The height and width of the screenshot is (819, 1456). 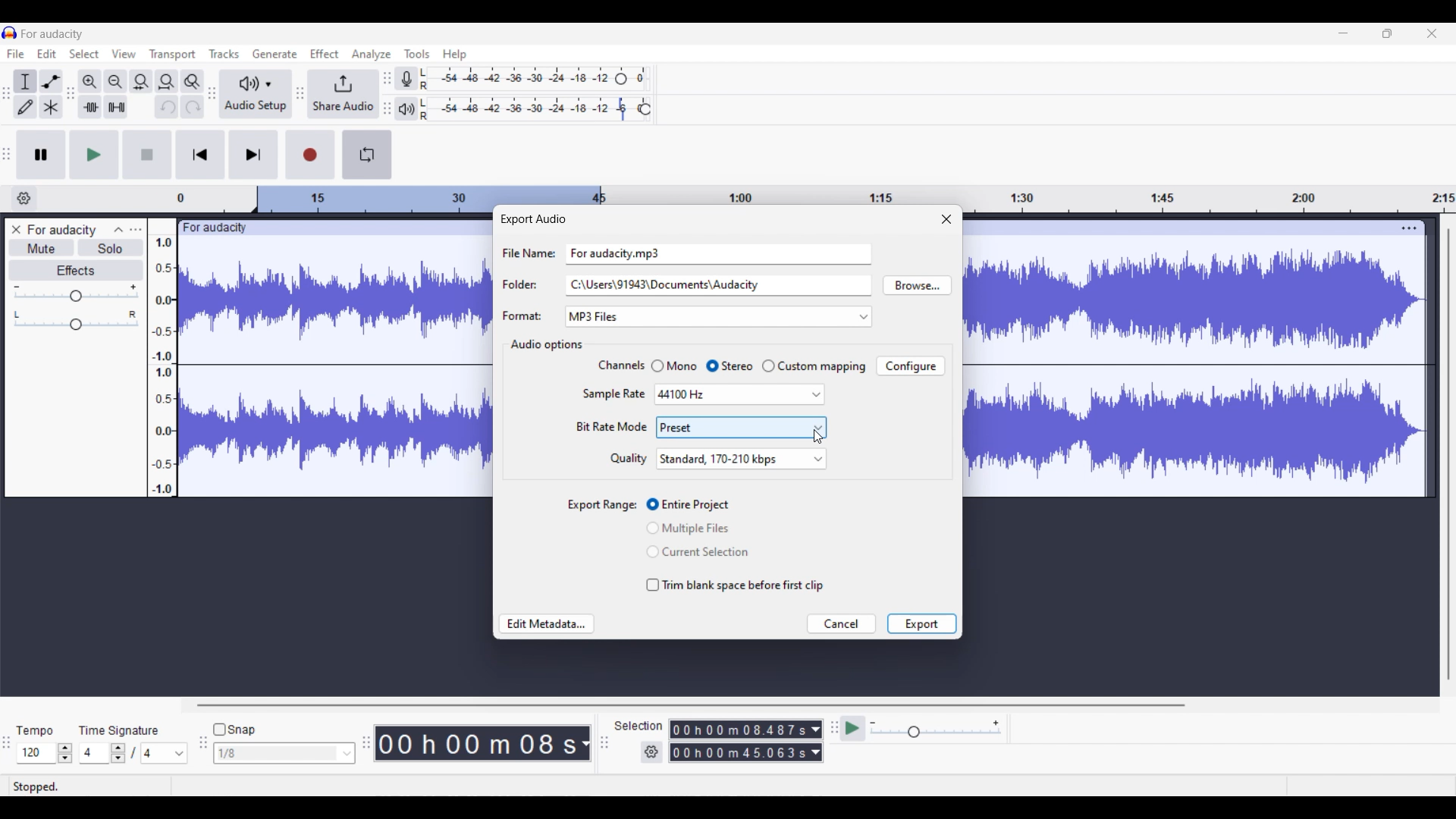 What do you see at coordinates (115, 82) in the screenshot?
I see `Zoom out` at bounding box center [115, 82].